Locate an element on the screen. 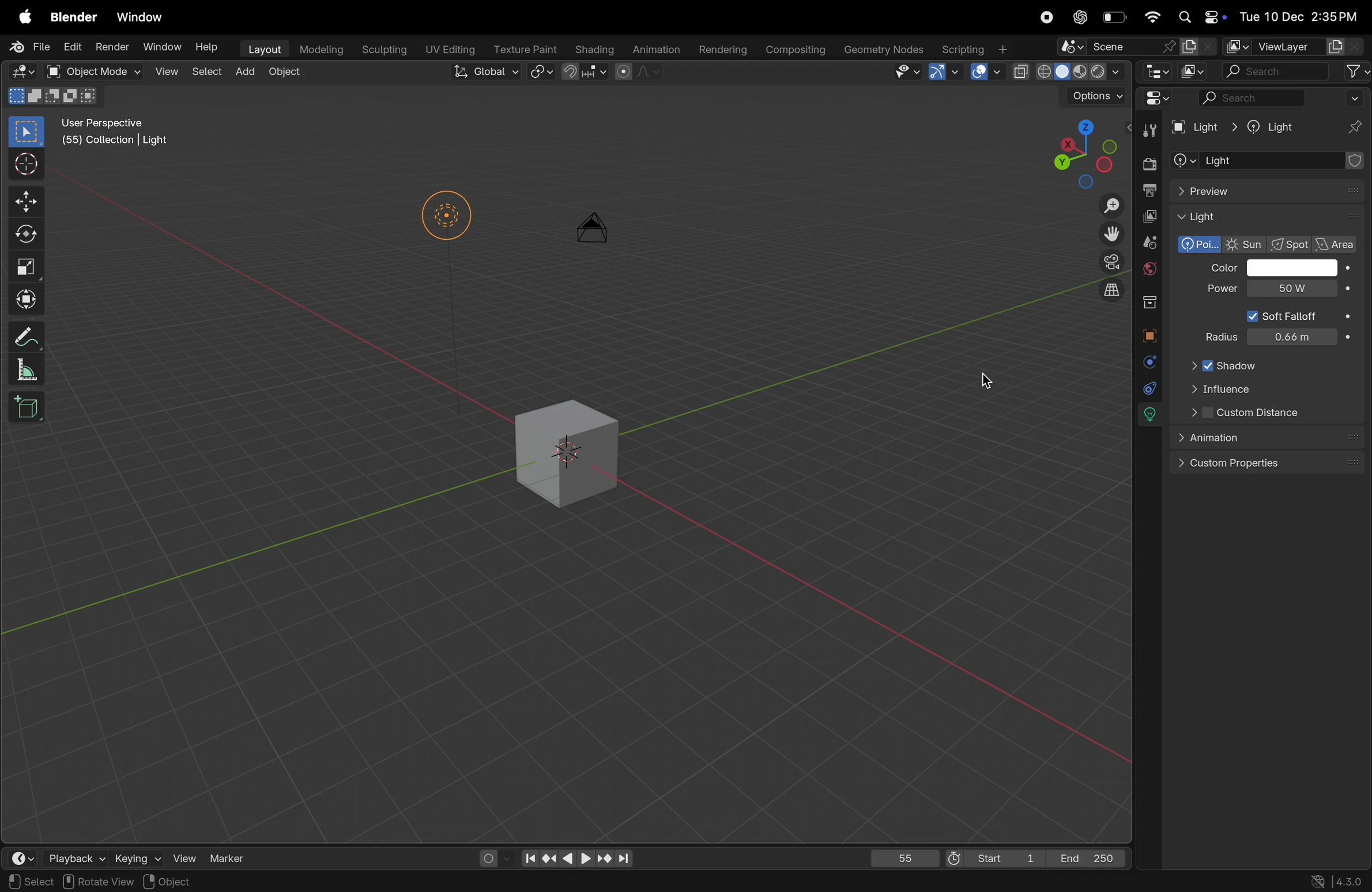 Image resolution: width=1372 pixels, height=892 pixels. Light is located at coordinates (1275, 126).